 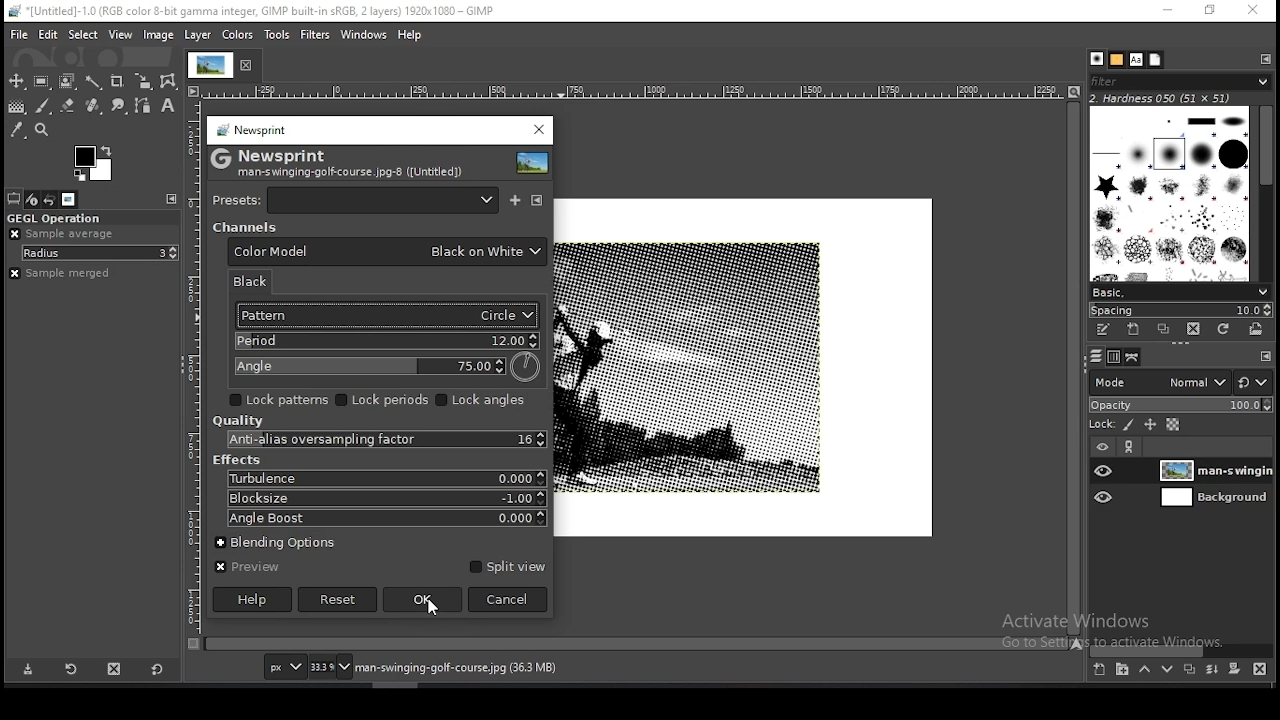 I want to click on presets, so click(x=358, y=199).